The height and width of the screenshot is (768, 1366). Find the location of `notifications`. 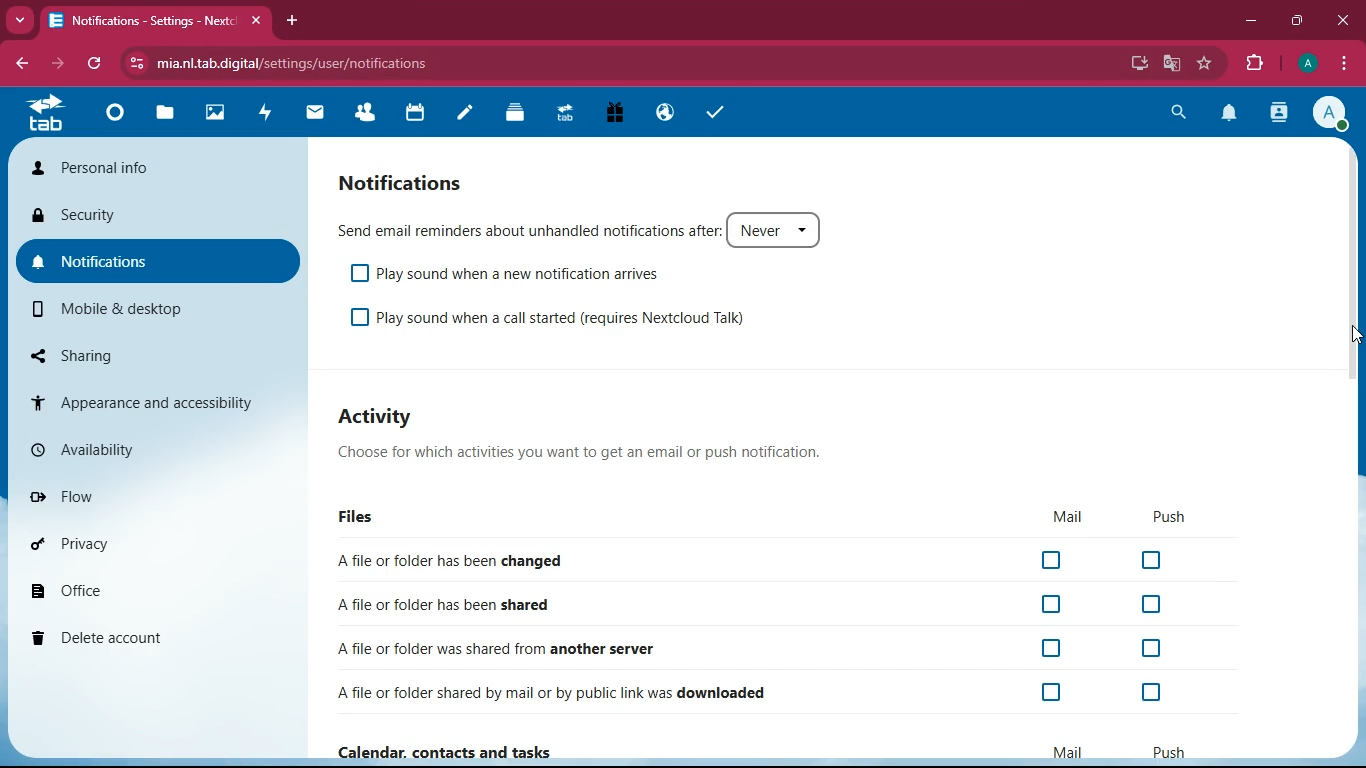

notifications is located at coordinates (406, 184).